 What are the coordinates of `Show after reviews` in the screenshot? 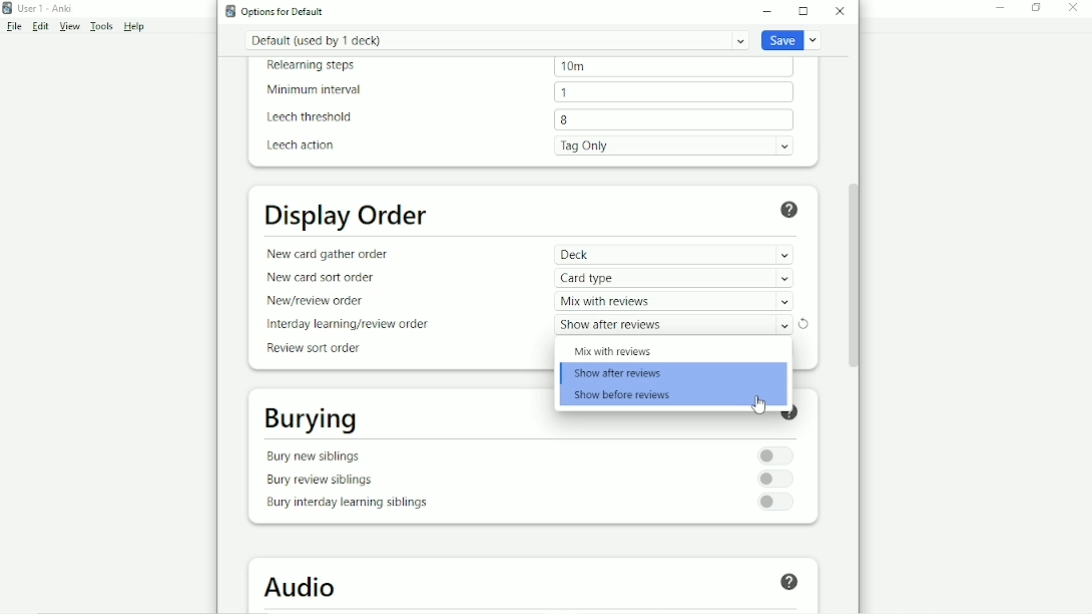 It's located at (674, 325).